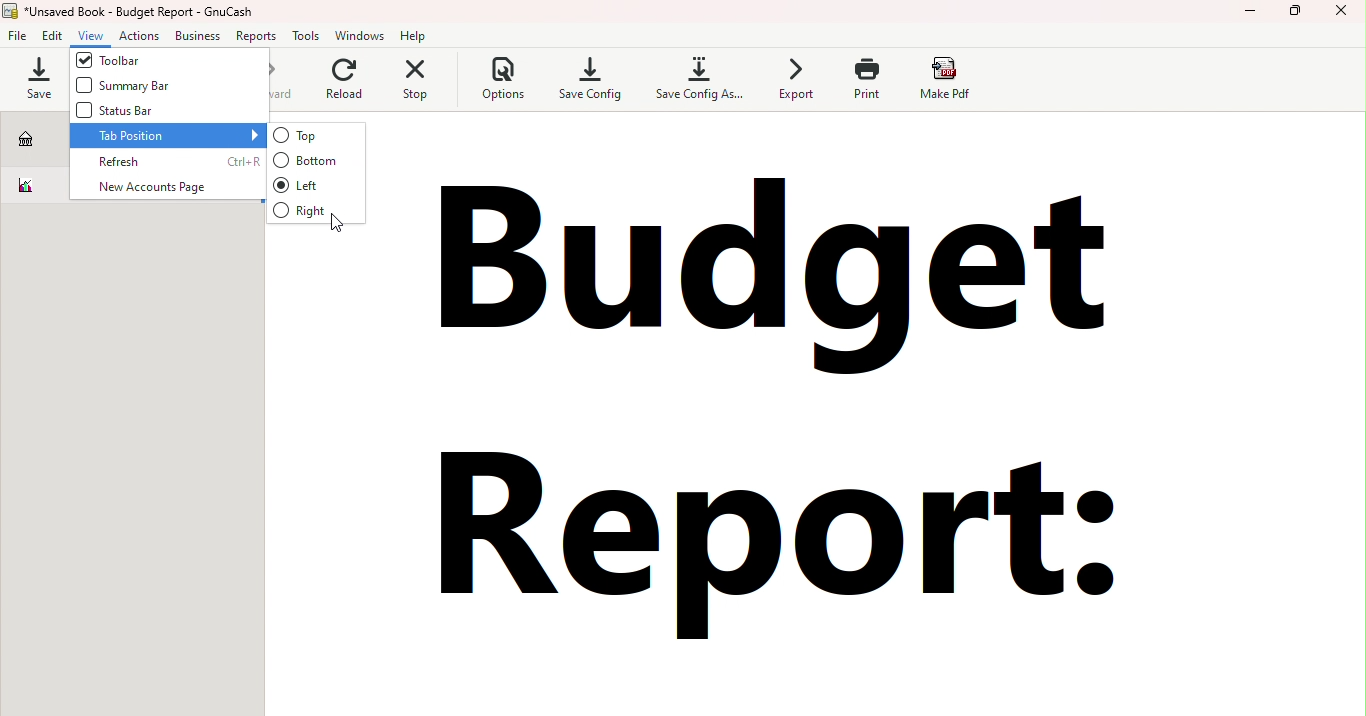 The width and height of the screenshot is (1366, 716). I want to click on Export, so click(792, 81).